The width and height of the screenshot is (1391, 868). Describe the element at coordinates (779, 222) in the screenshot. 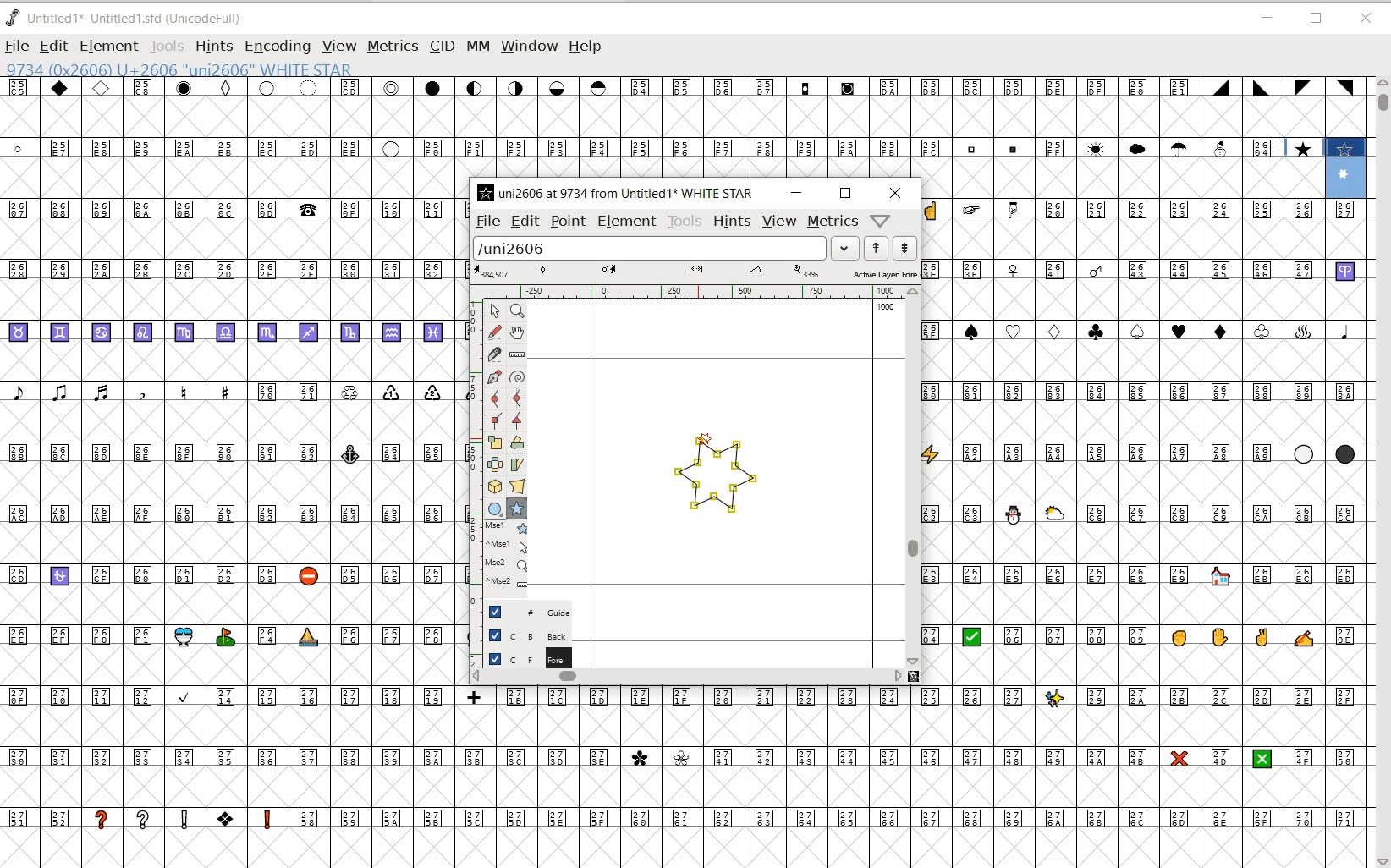

I see `VIEW` at that location.